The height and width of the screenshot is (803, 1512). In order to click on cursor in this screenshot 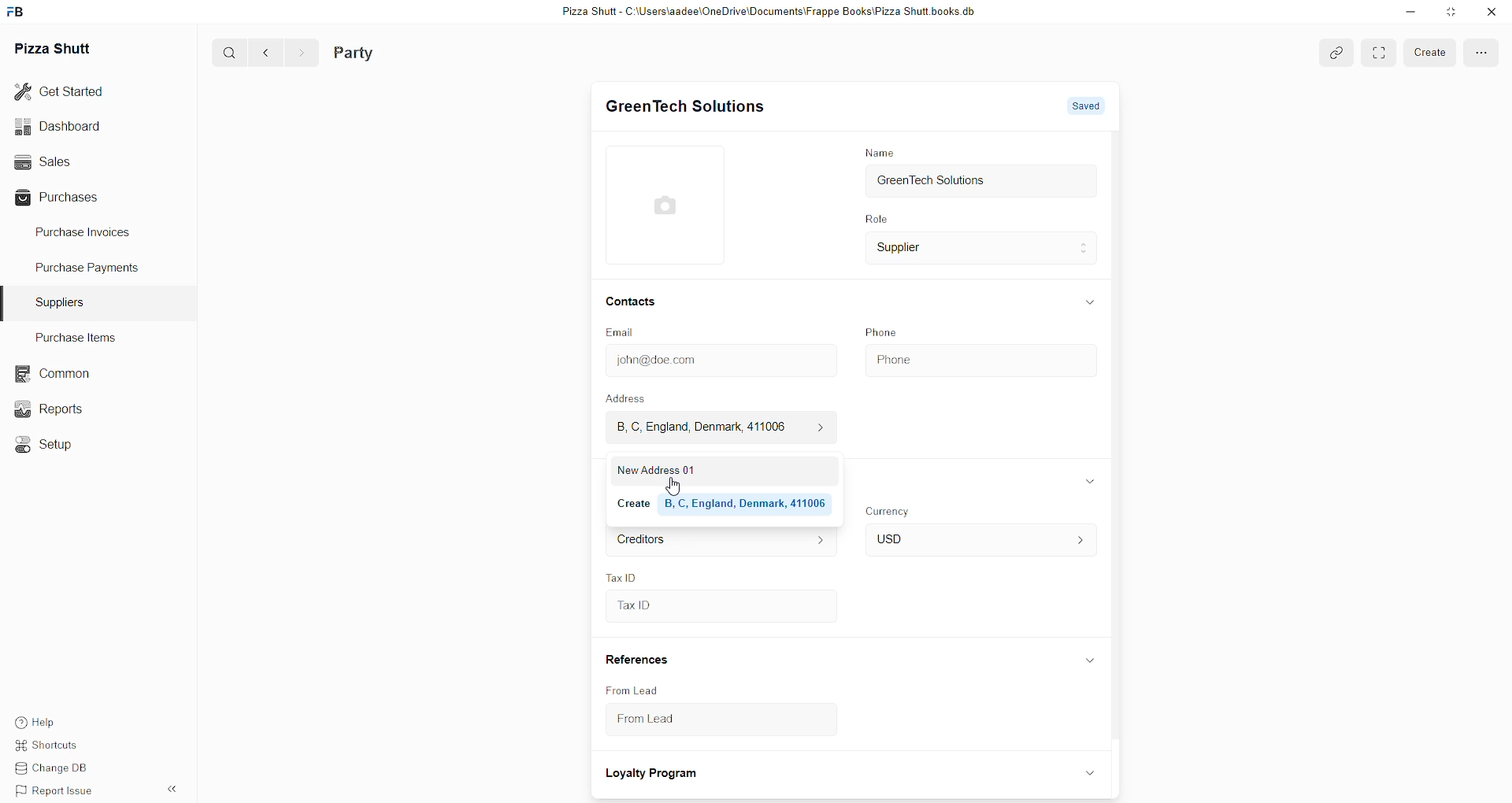, I will do `click(675, 486)`.